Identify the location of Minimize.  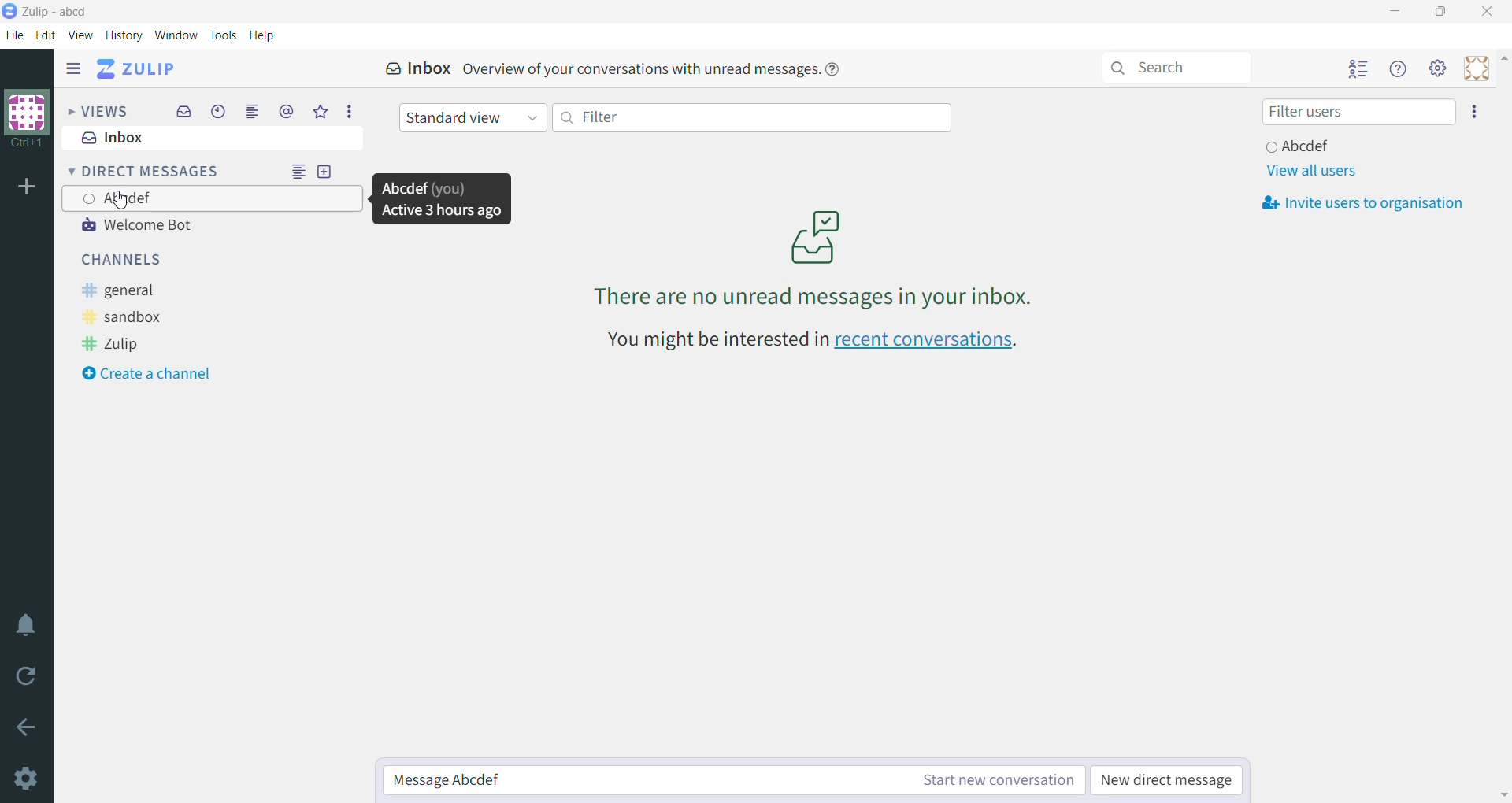
(1396, 11).